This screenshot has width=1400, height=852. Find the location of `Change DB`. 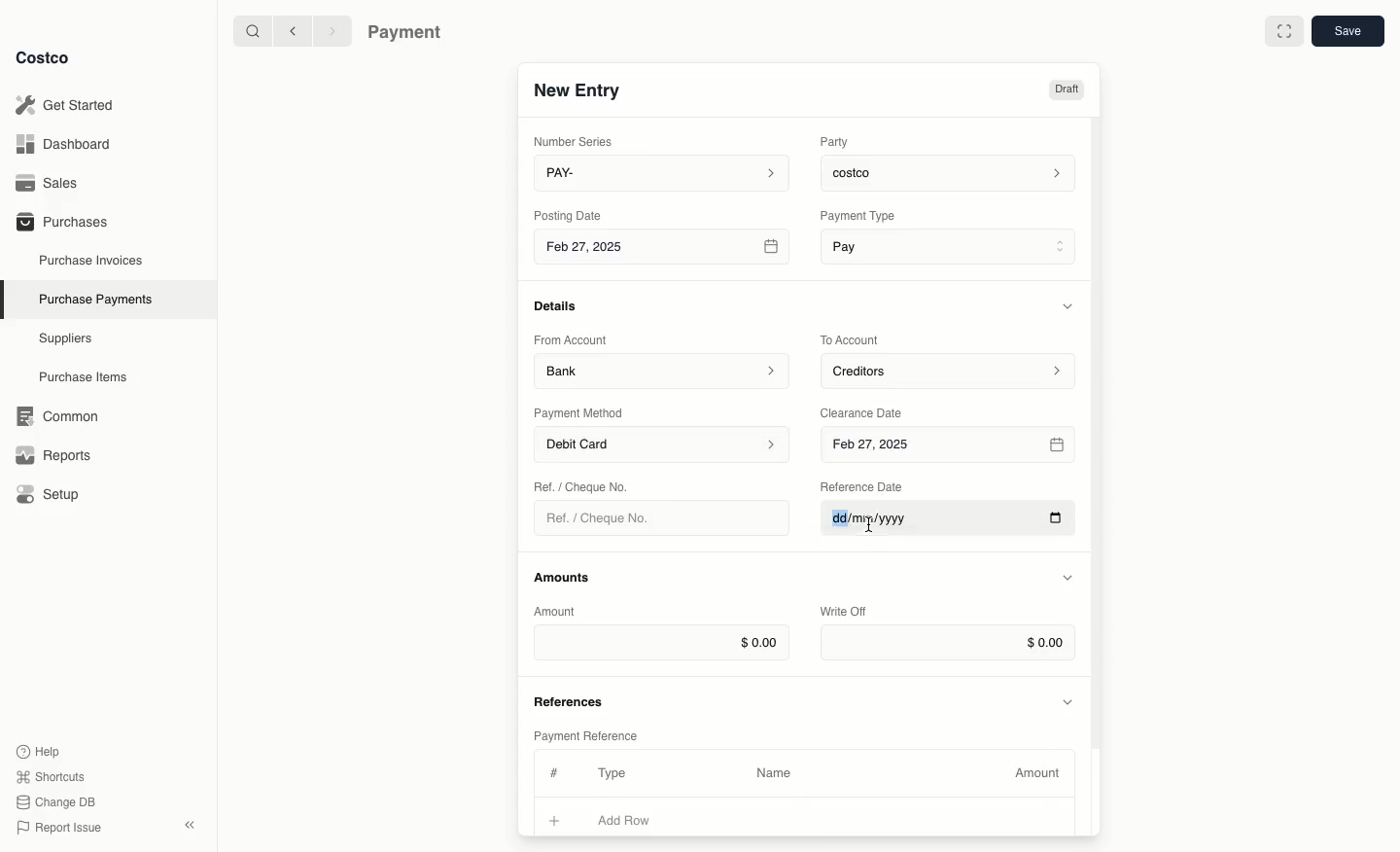

Change DB is located at coordinates (59, 802).